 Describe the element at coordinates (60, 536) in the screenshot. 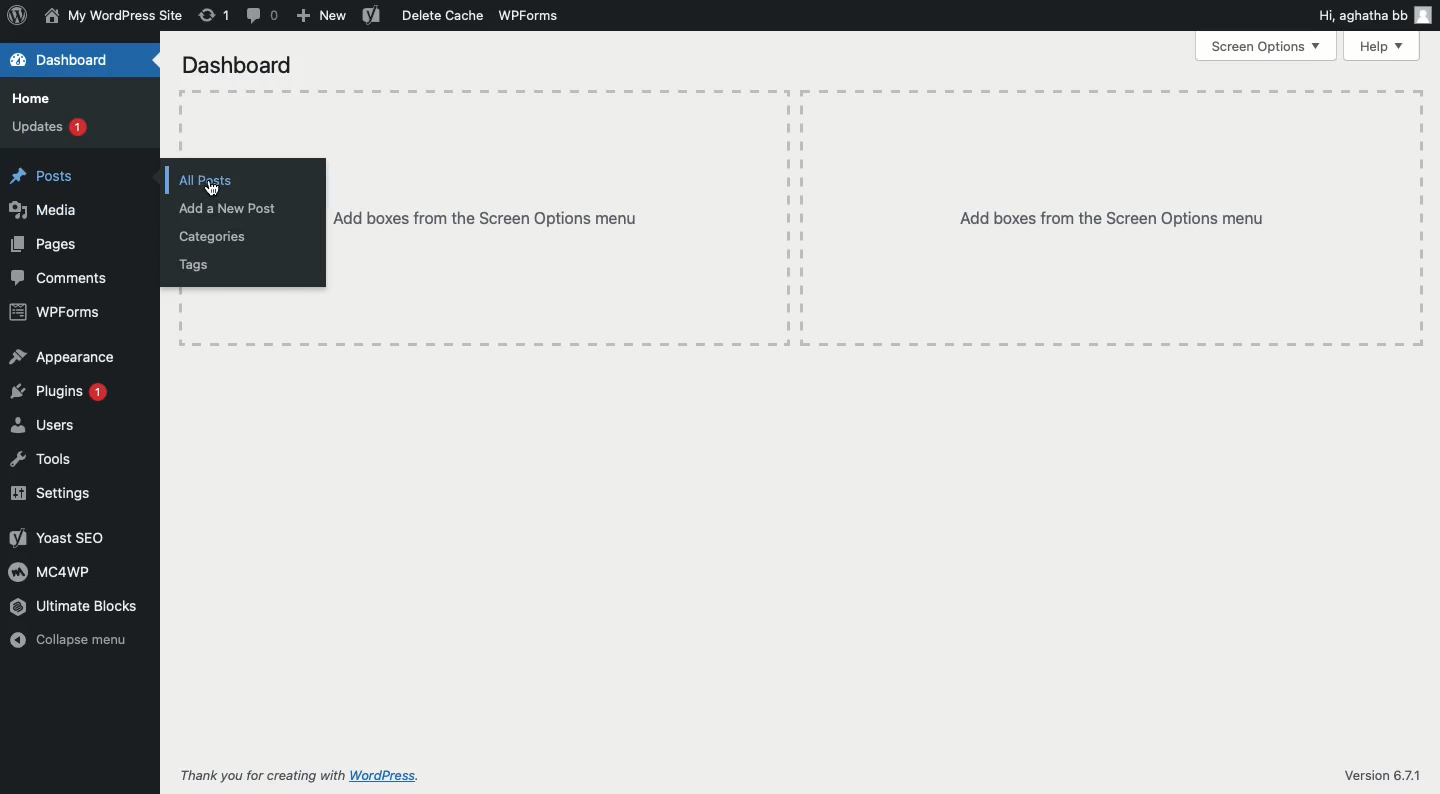

I see `Yoast SEO` at that location.